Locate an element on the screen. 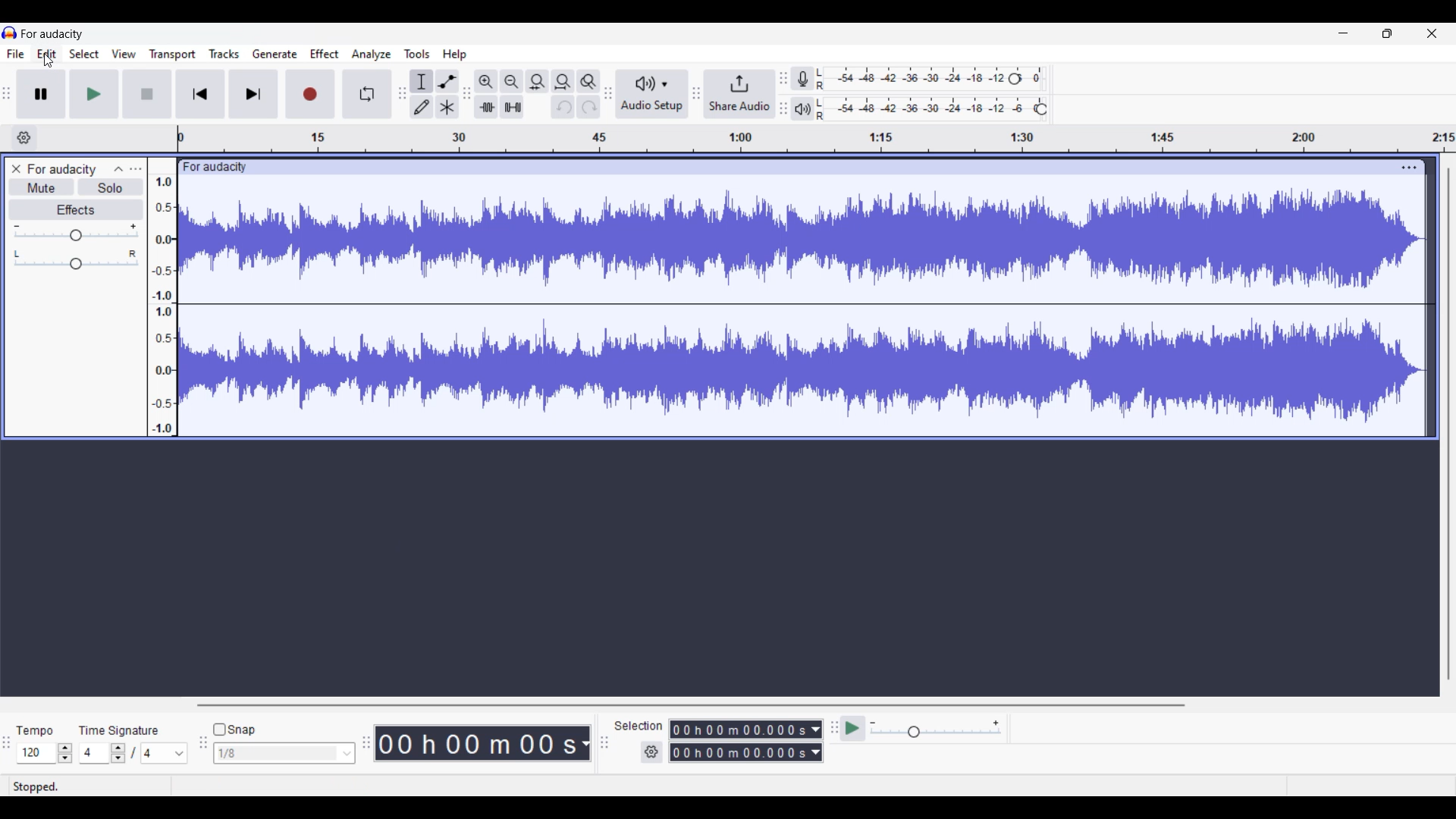  Max time signature options is located at coordinates (165, 753).